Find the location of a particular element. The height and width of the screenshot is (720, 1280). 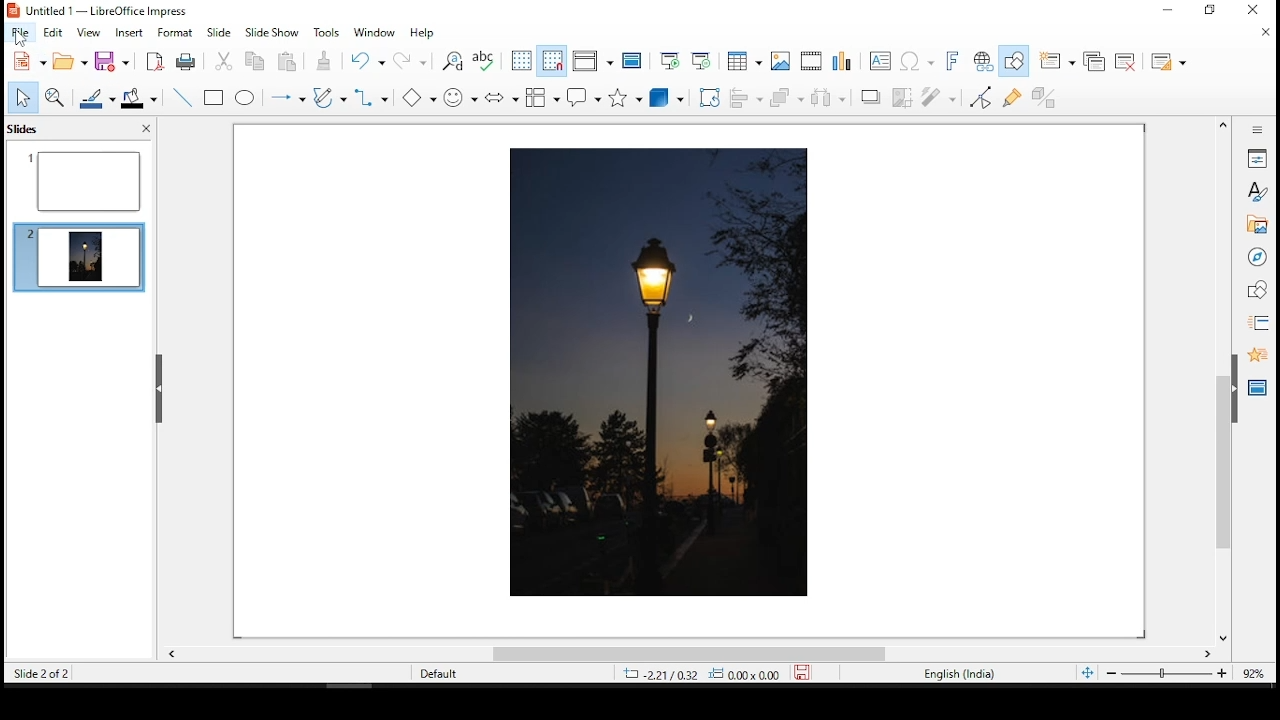

line color is located at coordinates (95, 98).